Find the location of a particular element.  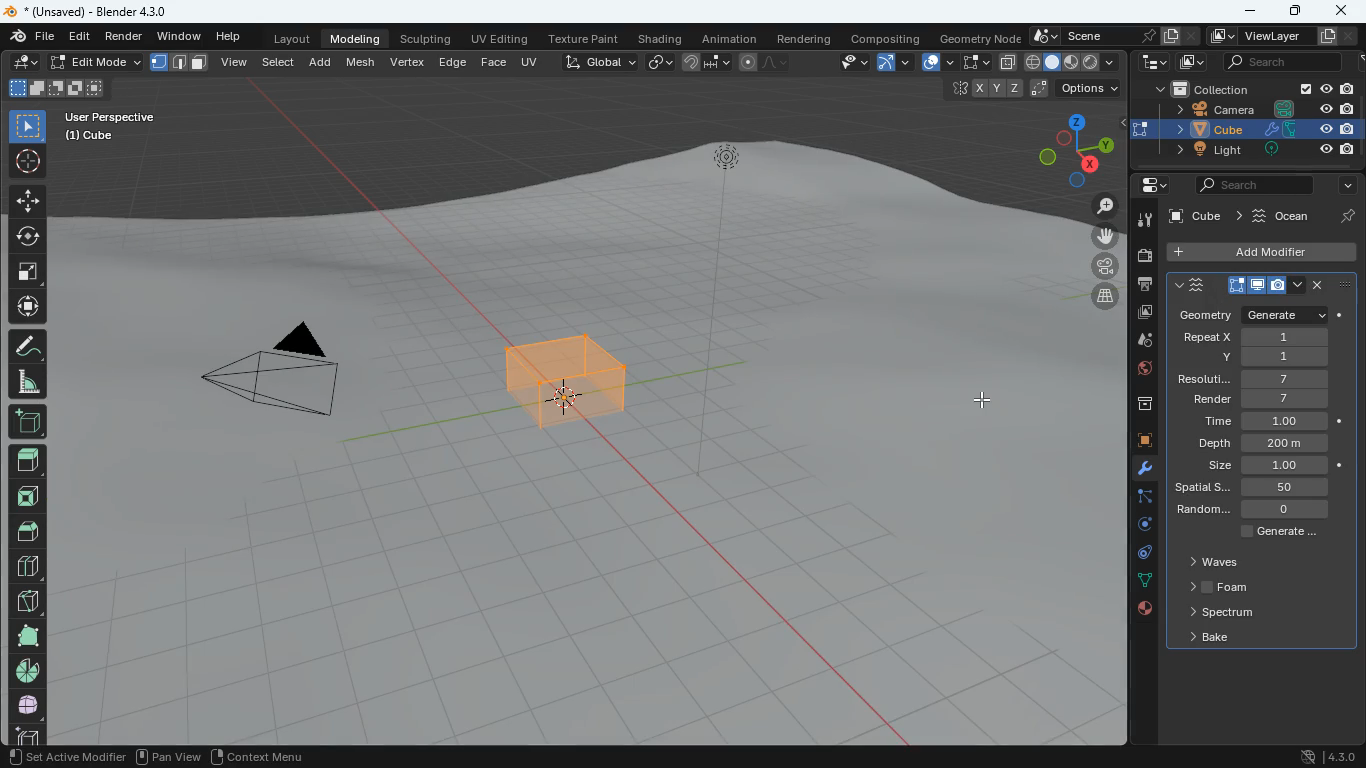

select is located at coordinates (282, 61).